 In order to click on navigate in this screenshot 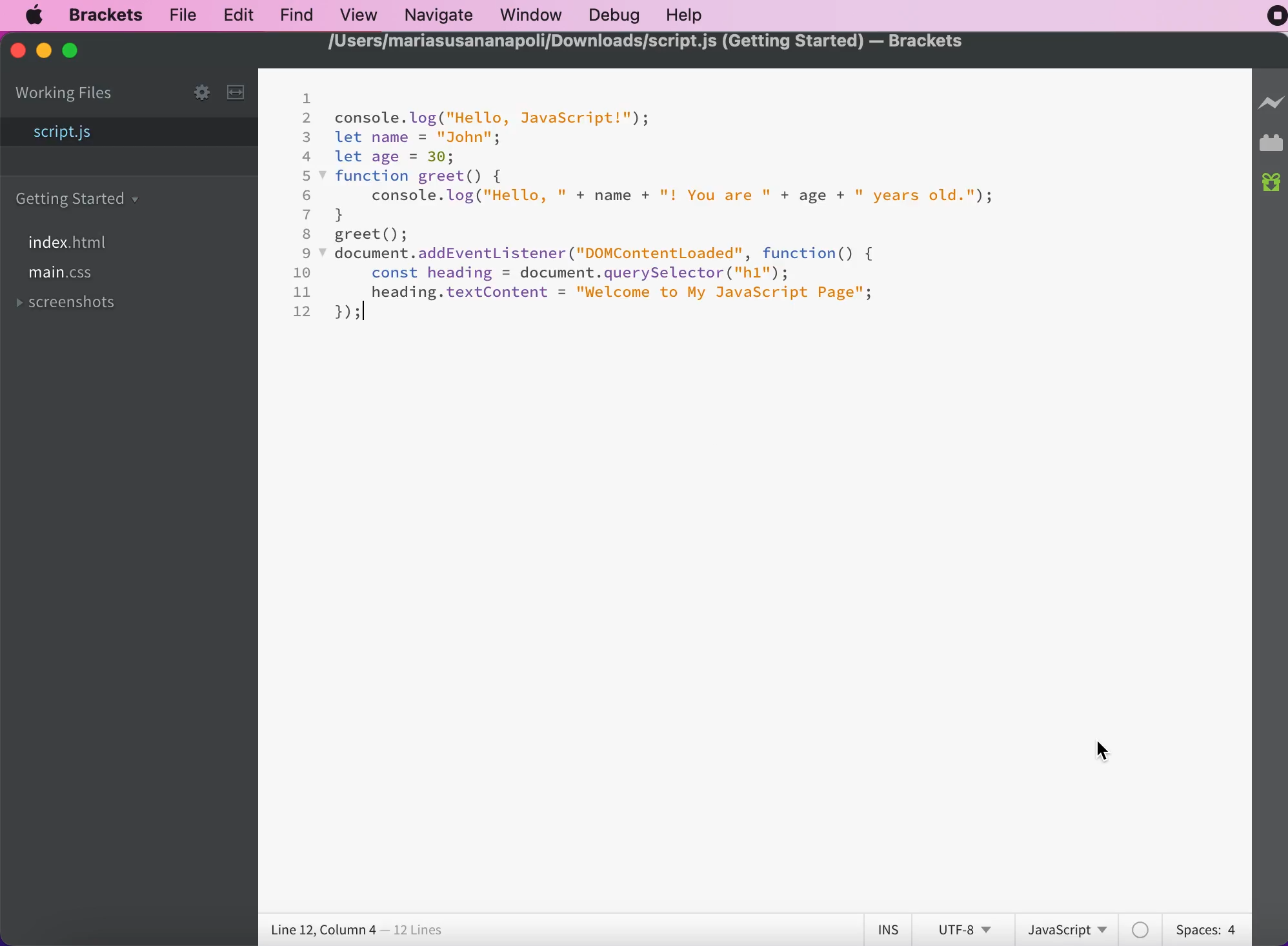, I will do `click(438, 14)`.